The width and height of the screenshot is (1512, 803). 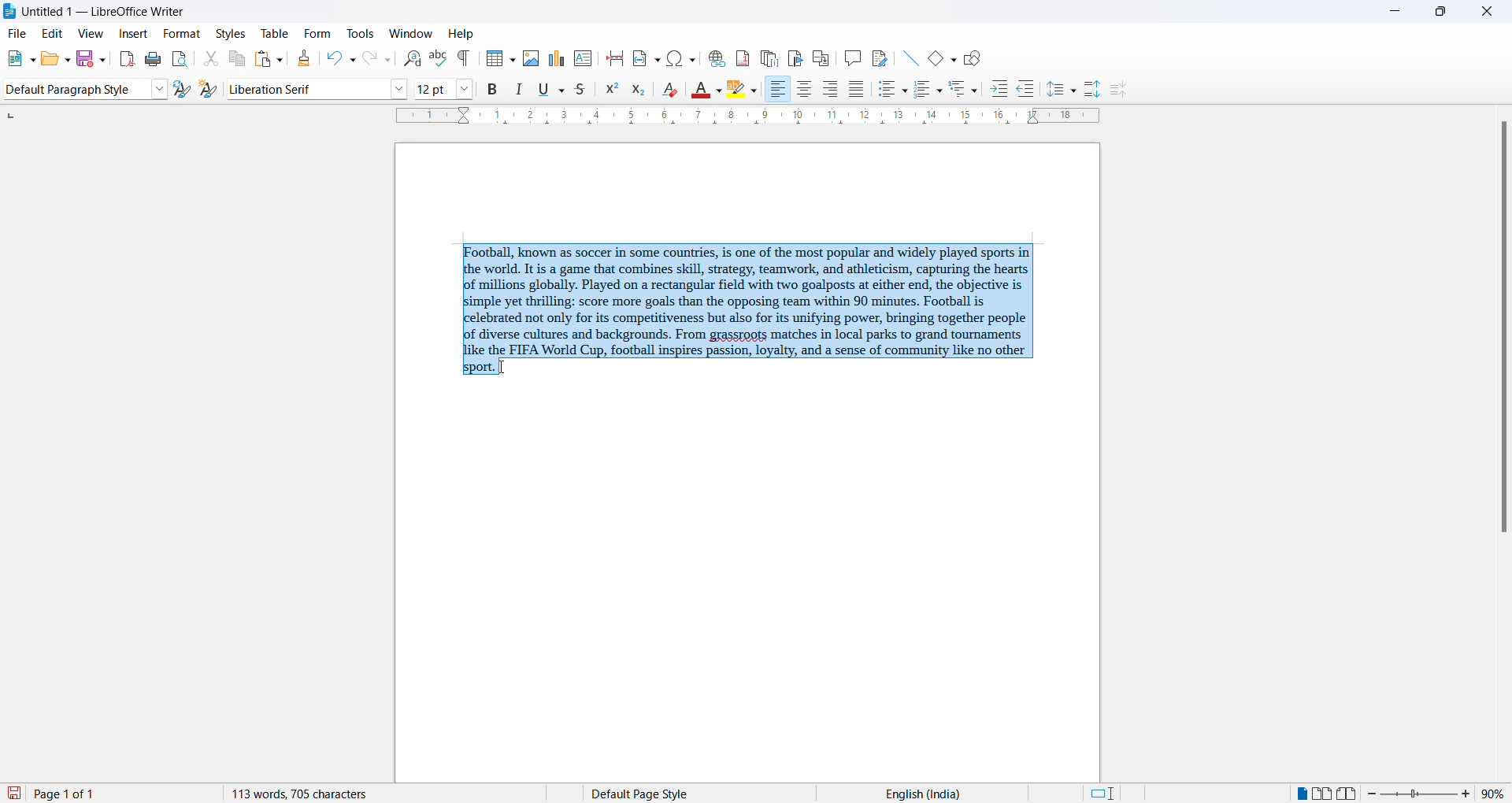 I want to click on view, so click(x=91, y=33).